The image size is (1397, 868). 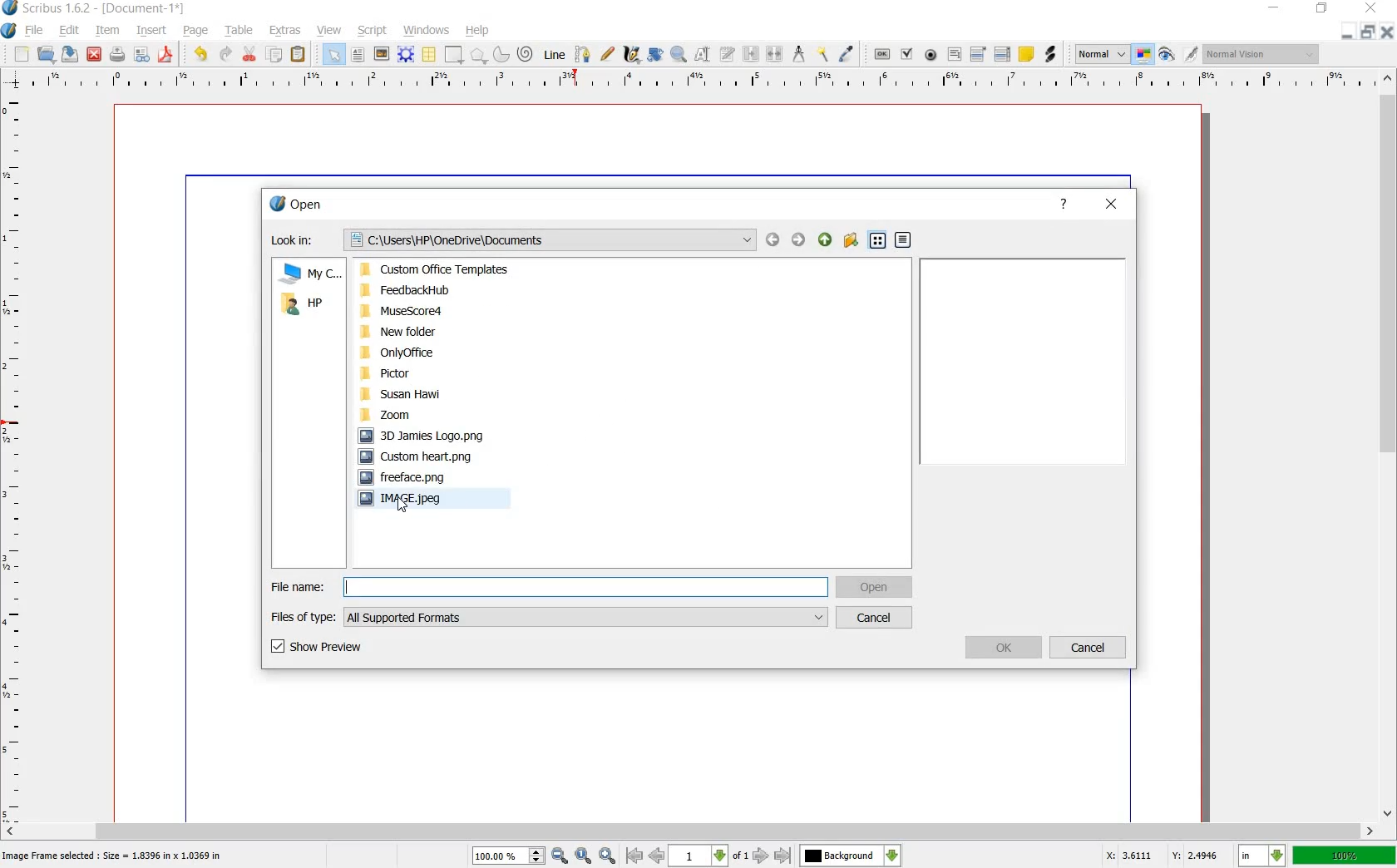 What do you see at coordinates (932, 55) in the screenshot?
I see `pdf radio button` at bounding box center [932, 55].